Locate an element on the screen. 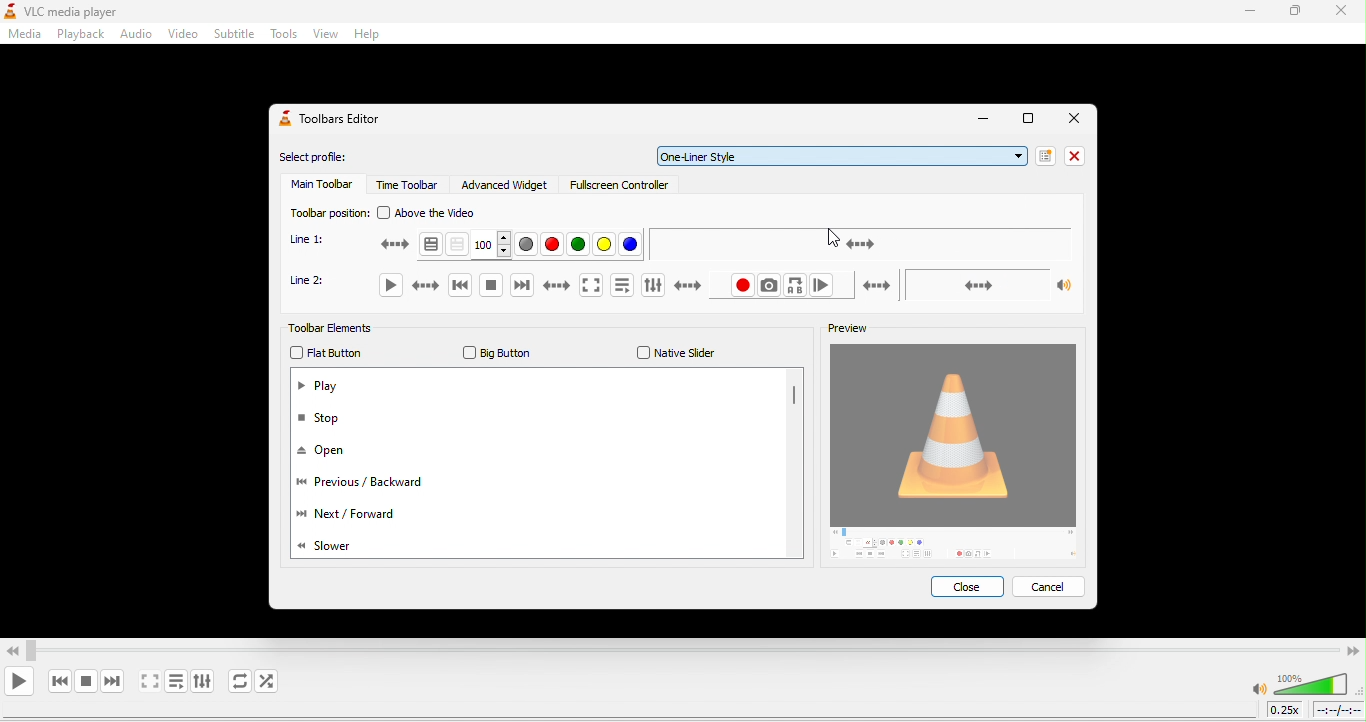 The width and height of the screenshot is (1366, 722). advanced wdget is located at coordinates (506, 184).